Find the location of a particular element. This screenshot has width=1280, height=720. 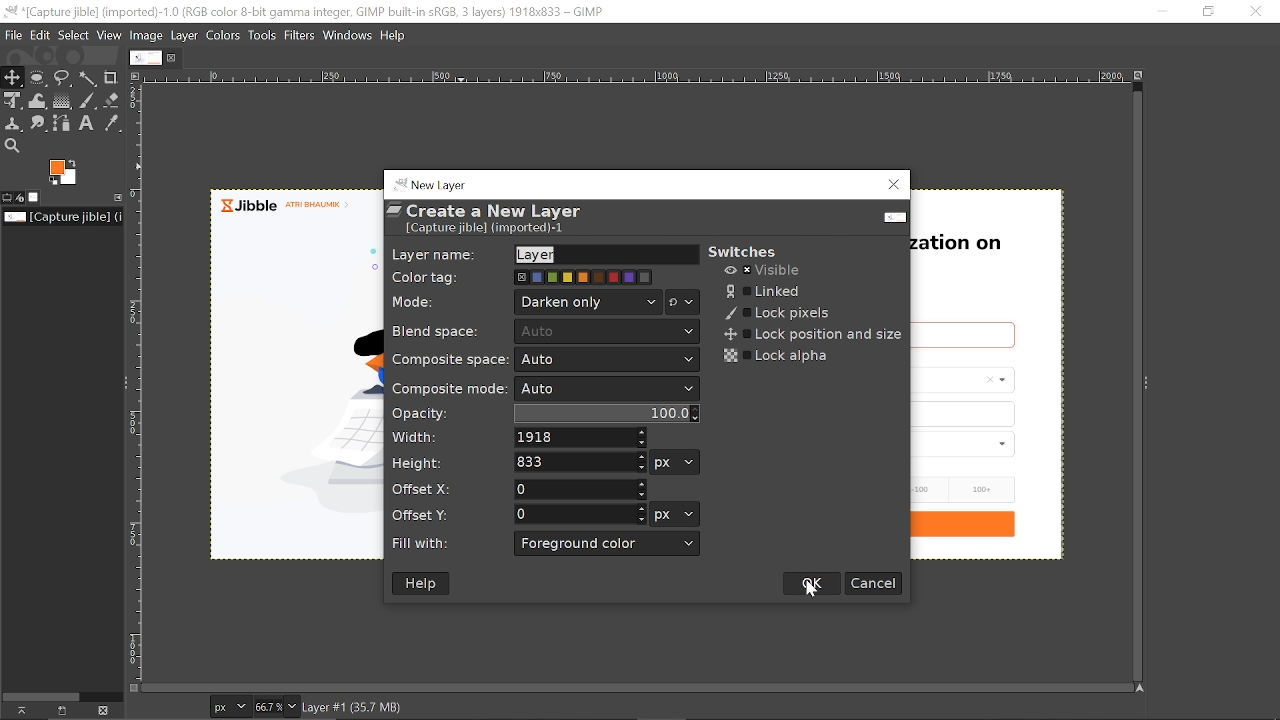

Unified transform tool is located at coordinates (12, 101).